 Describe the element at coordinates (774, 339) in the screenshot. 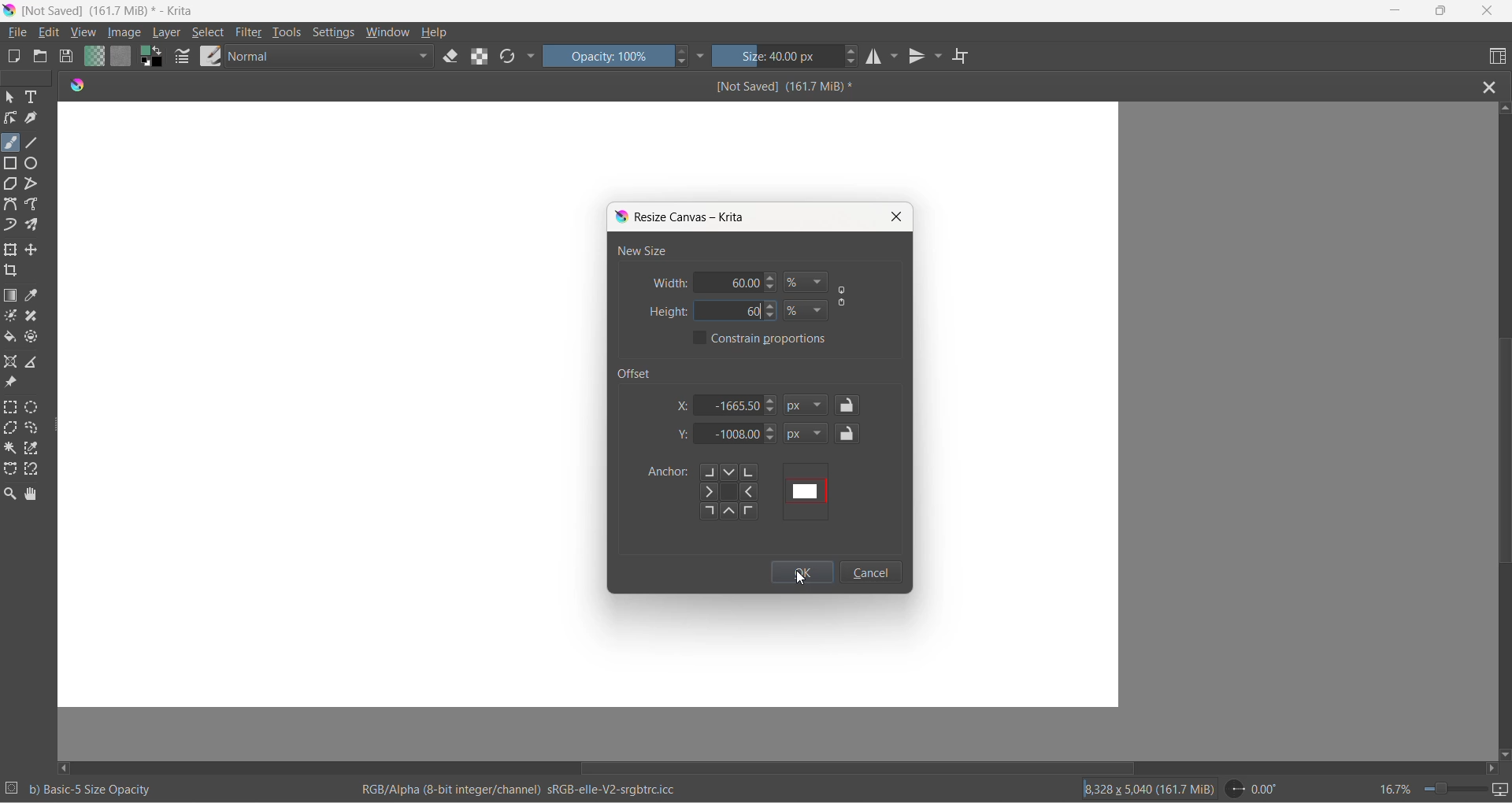

I see `constant proportions` at that location.